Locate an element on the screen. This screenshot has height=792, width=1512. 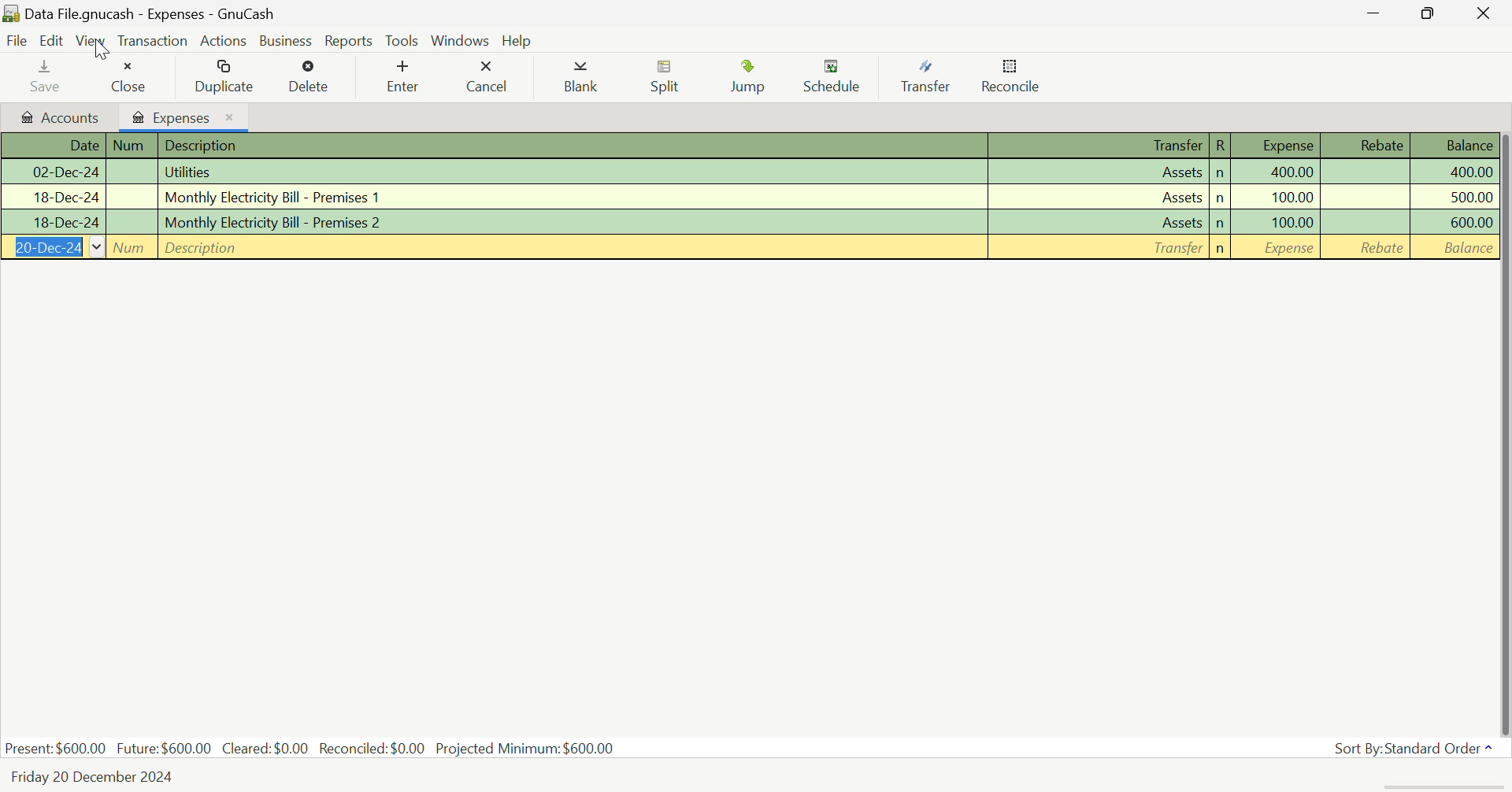
tools is located at coordinates (402, 41).